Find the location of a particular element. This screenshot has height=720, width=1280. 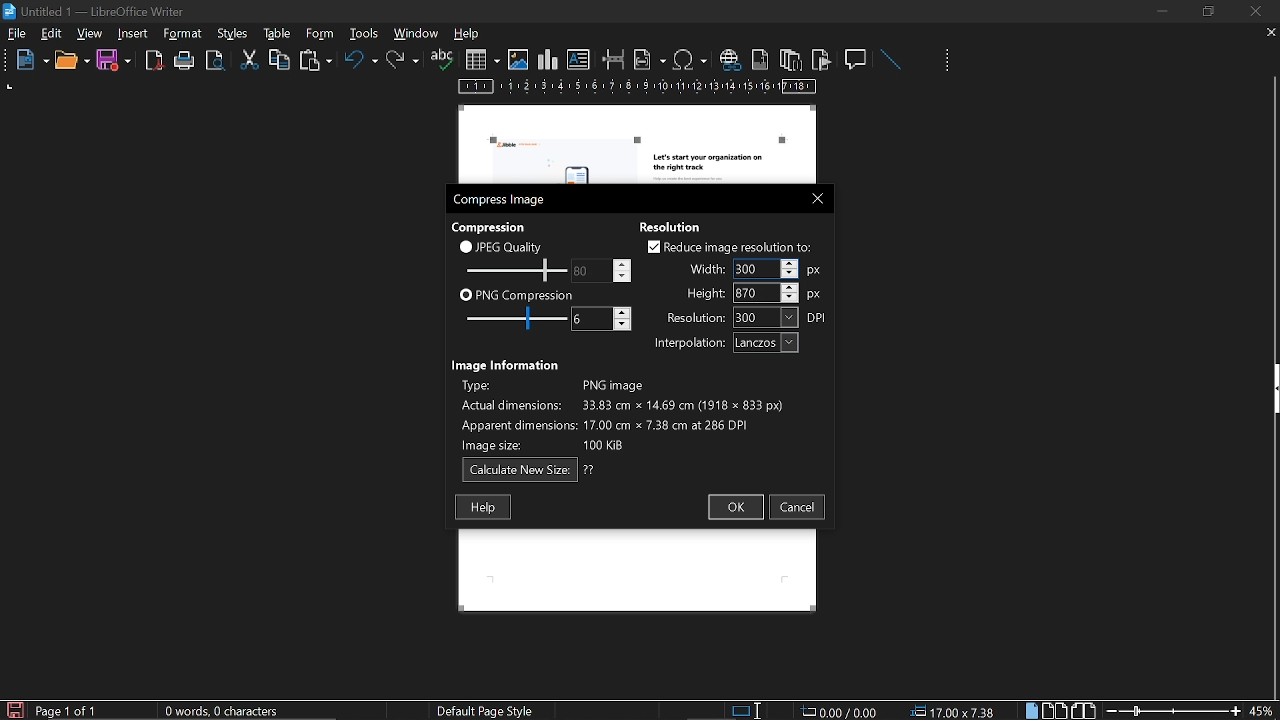

page style is located at coordinates (489, 710).